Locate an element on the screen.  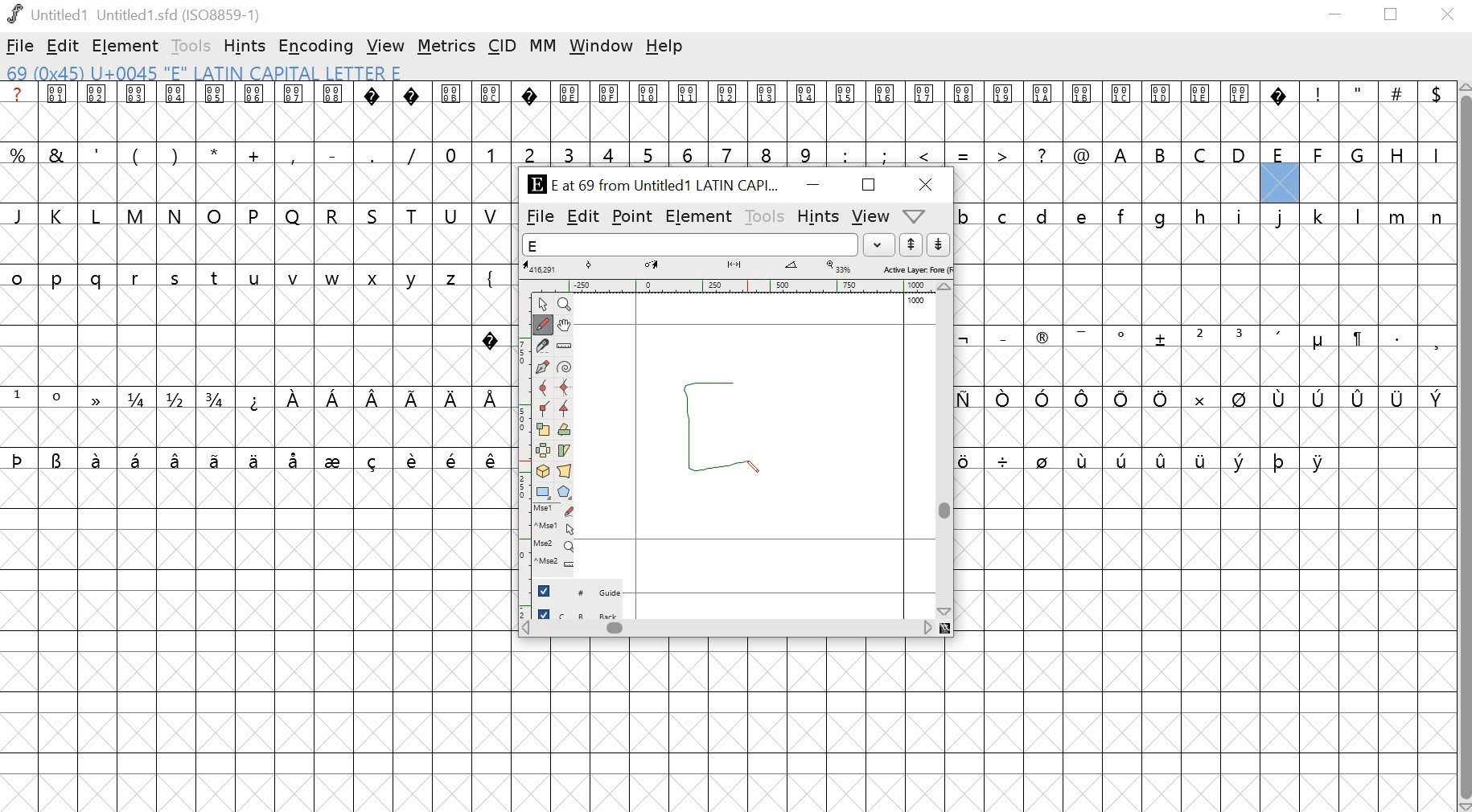
measurements is located at coordinates (737, 268).